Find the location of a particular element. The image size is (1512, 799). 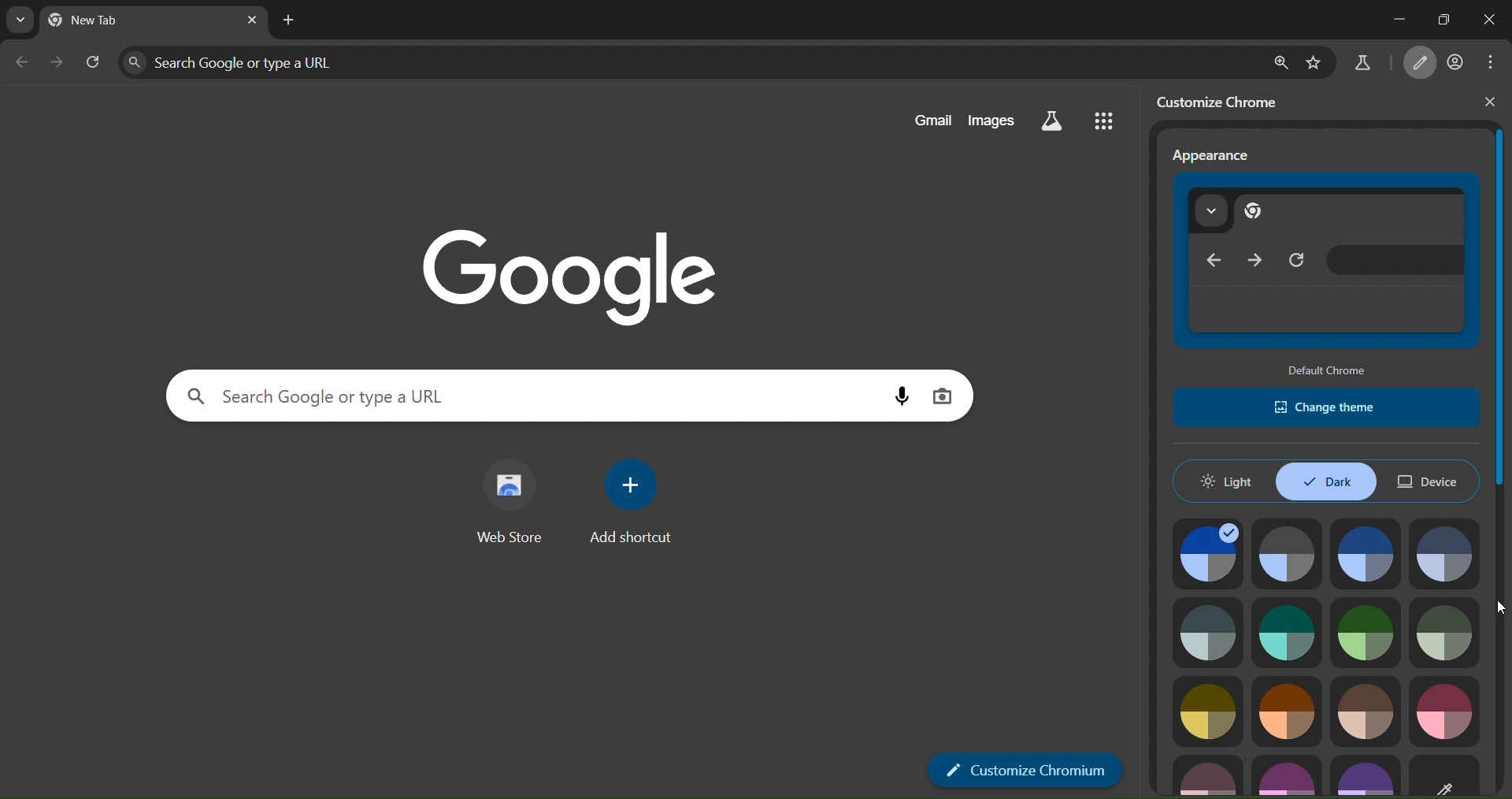

default chrome is located at coordinates (1332, 370).